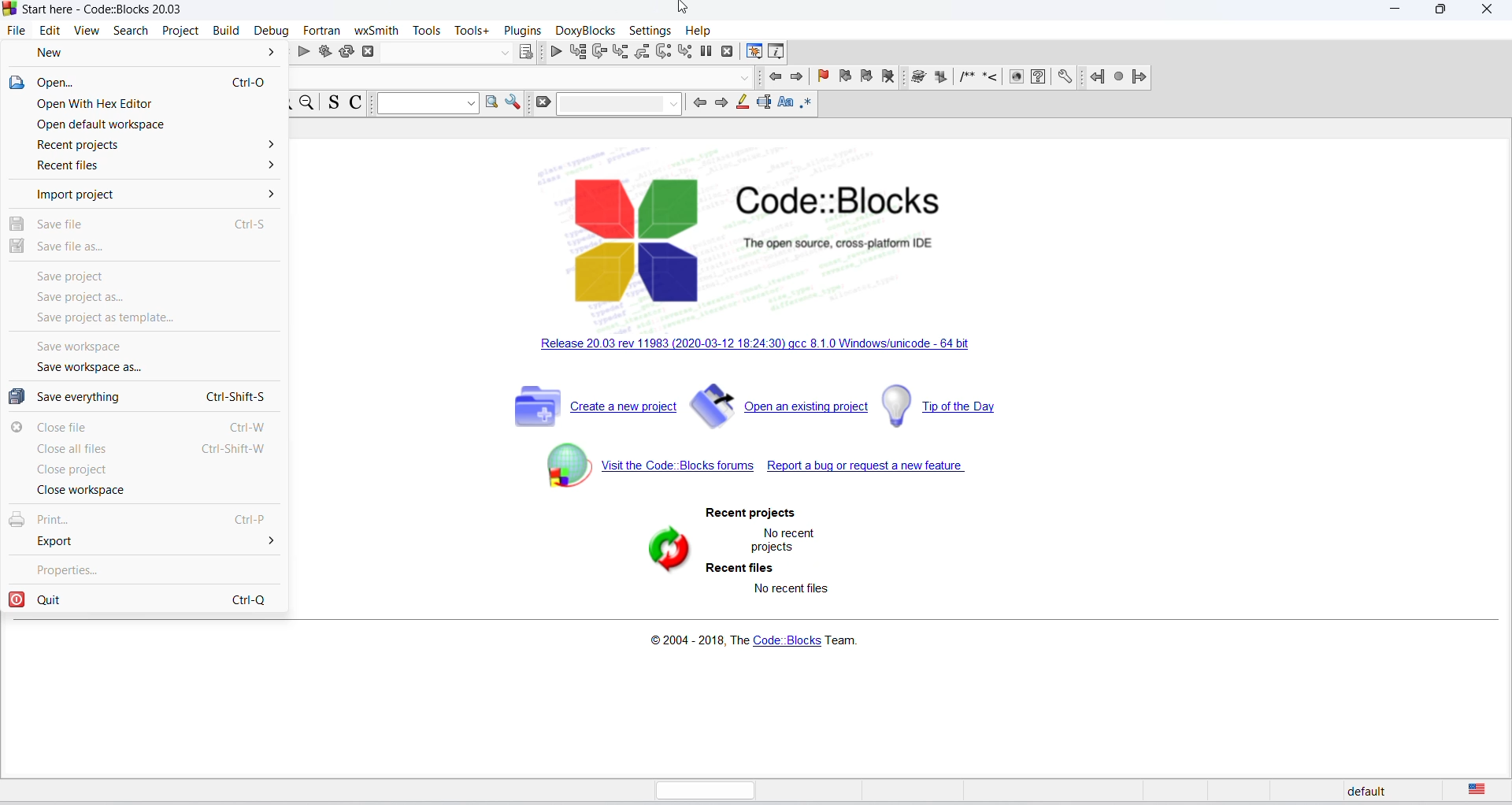 The height and width of the screenshot is (805, 1512). Describe the element at coordinates (272, 31) in the screenshot. I see `debug` at that location.